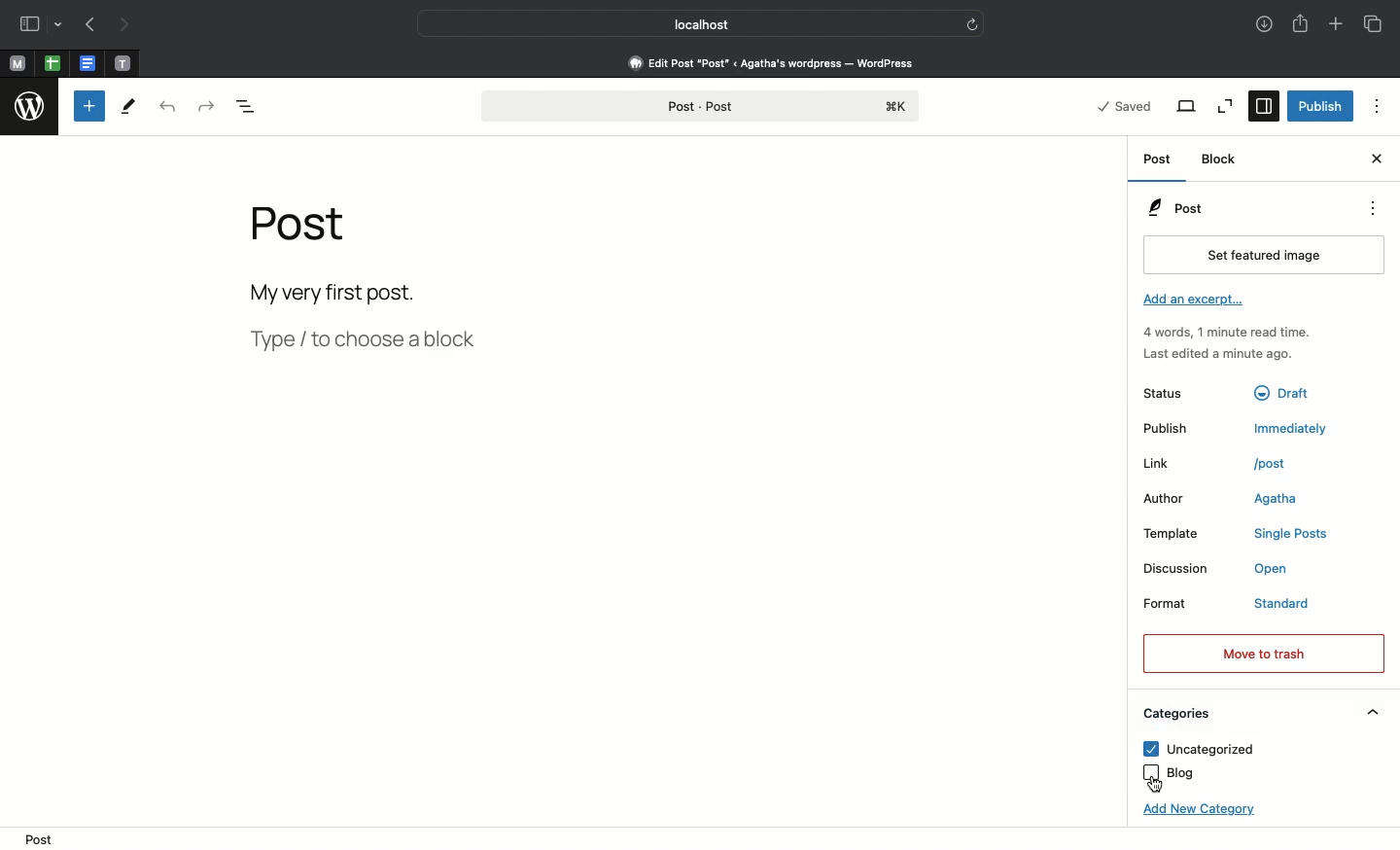  What do you see at coordinates (52, 63) in the screenshot?
I see `spread sheet` at bounding box center [52, 63].